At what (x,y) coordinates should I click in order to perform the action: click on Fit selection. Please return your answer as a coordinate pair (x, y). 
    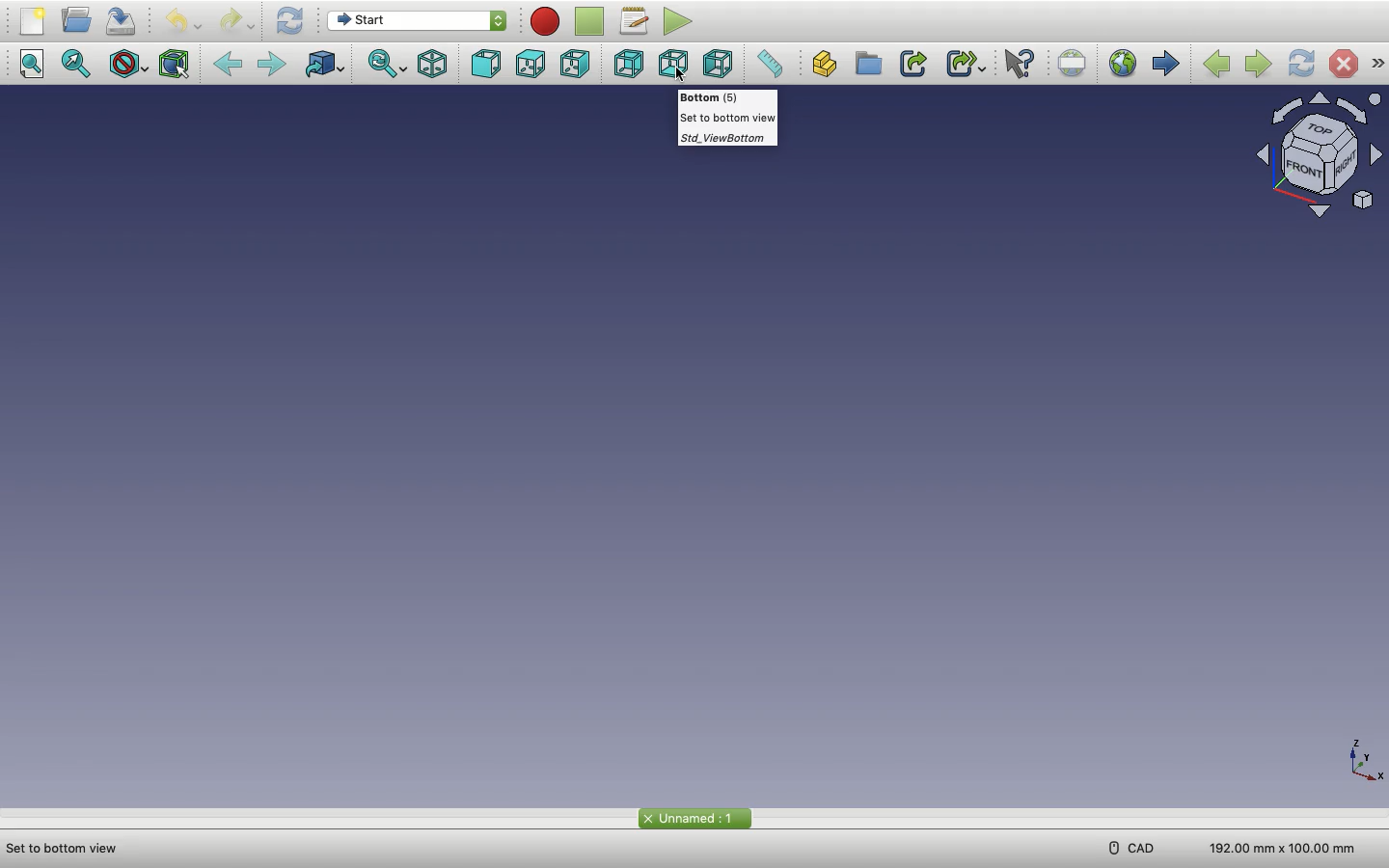
    Looking at the image, I should click on (77, 64).